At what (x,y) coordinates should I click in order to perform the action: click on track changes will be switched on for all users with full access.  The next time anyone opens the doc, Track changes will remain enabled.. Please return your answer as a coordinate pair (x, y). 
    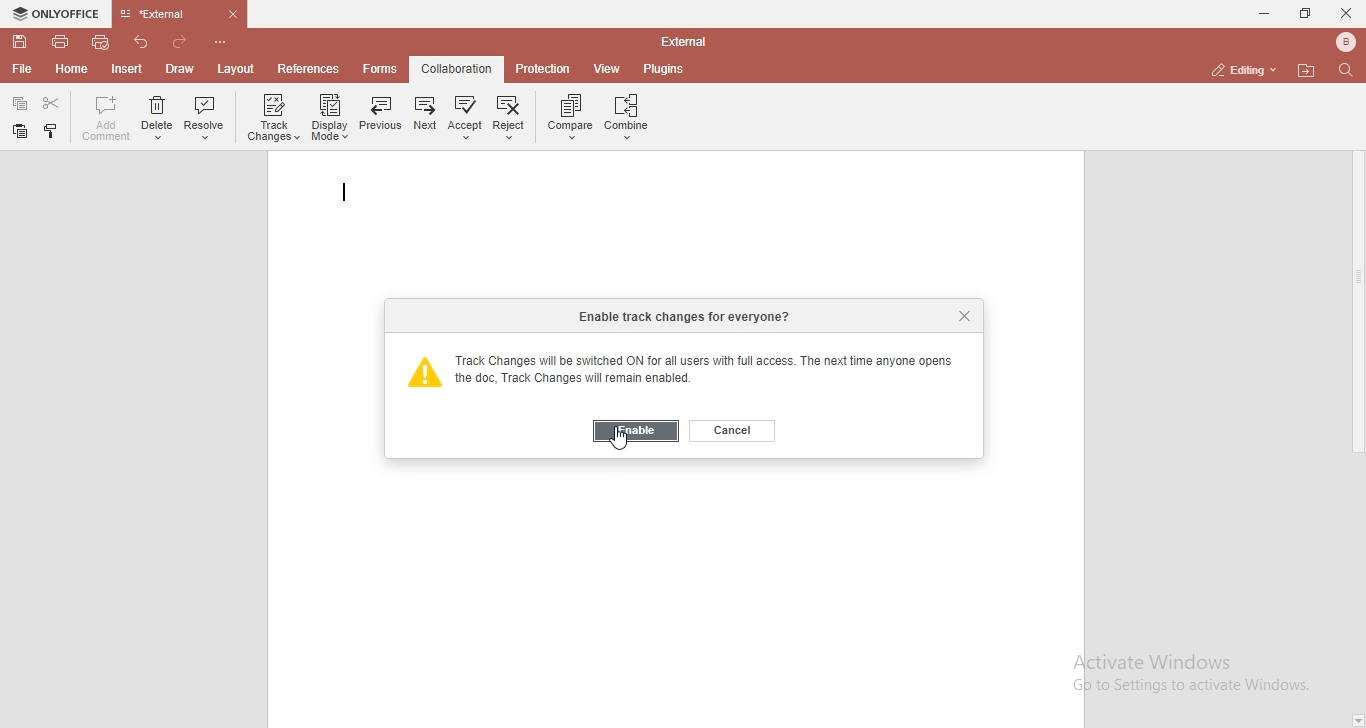
    Looking at the image, I should click on (678, 373).